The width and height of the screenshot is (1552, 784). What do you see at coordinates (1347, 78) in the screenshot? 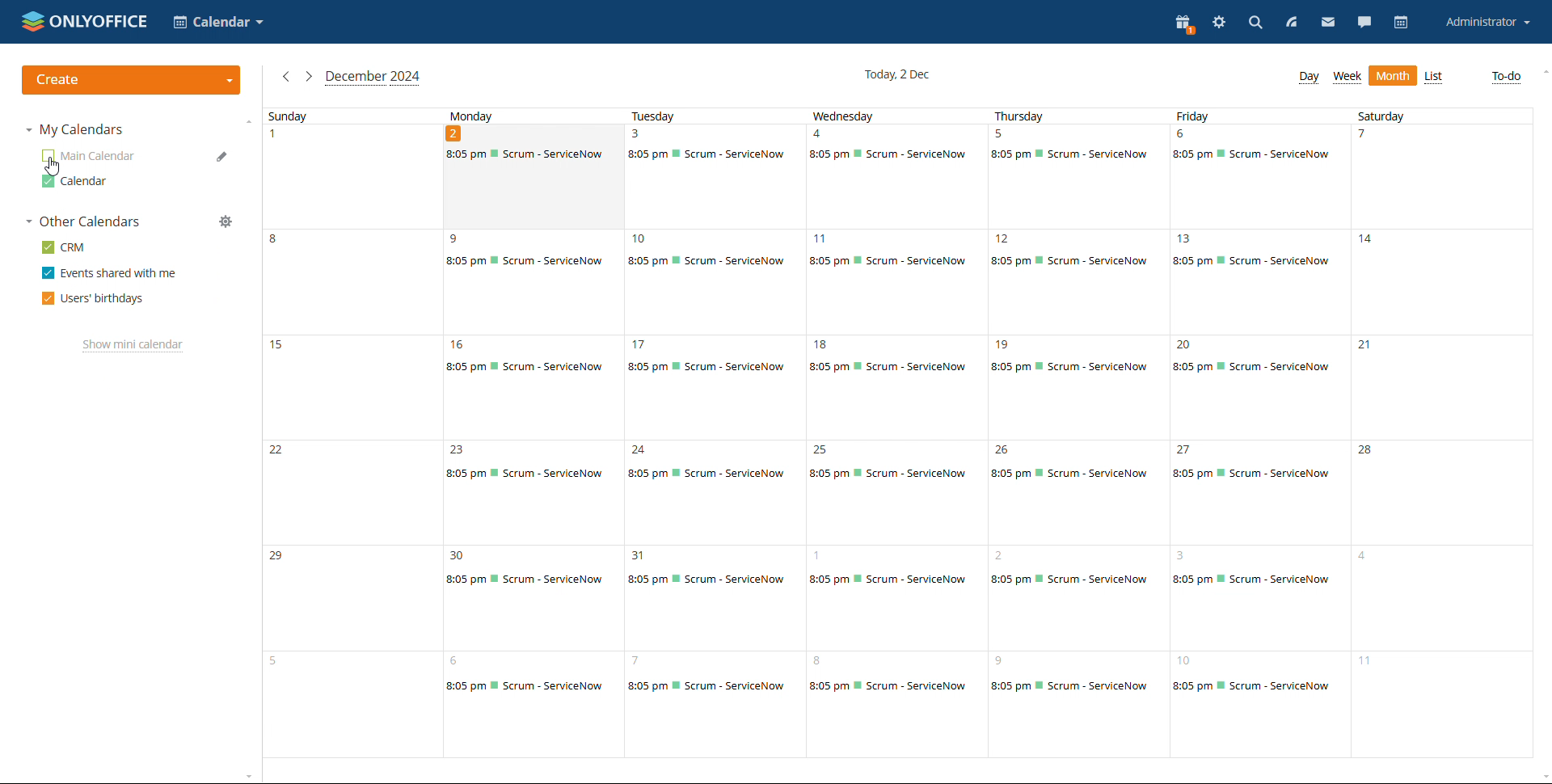
I see `week view` at bounding box center [1347, 78].